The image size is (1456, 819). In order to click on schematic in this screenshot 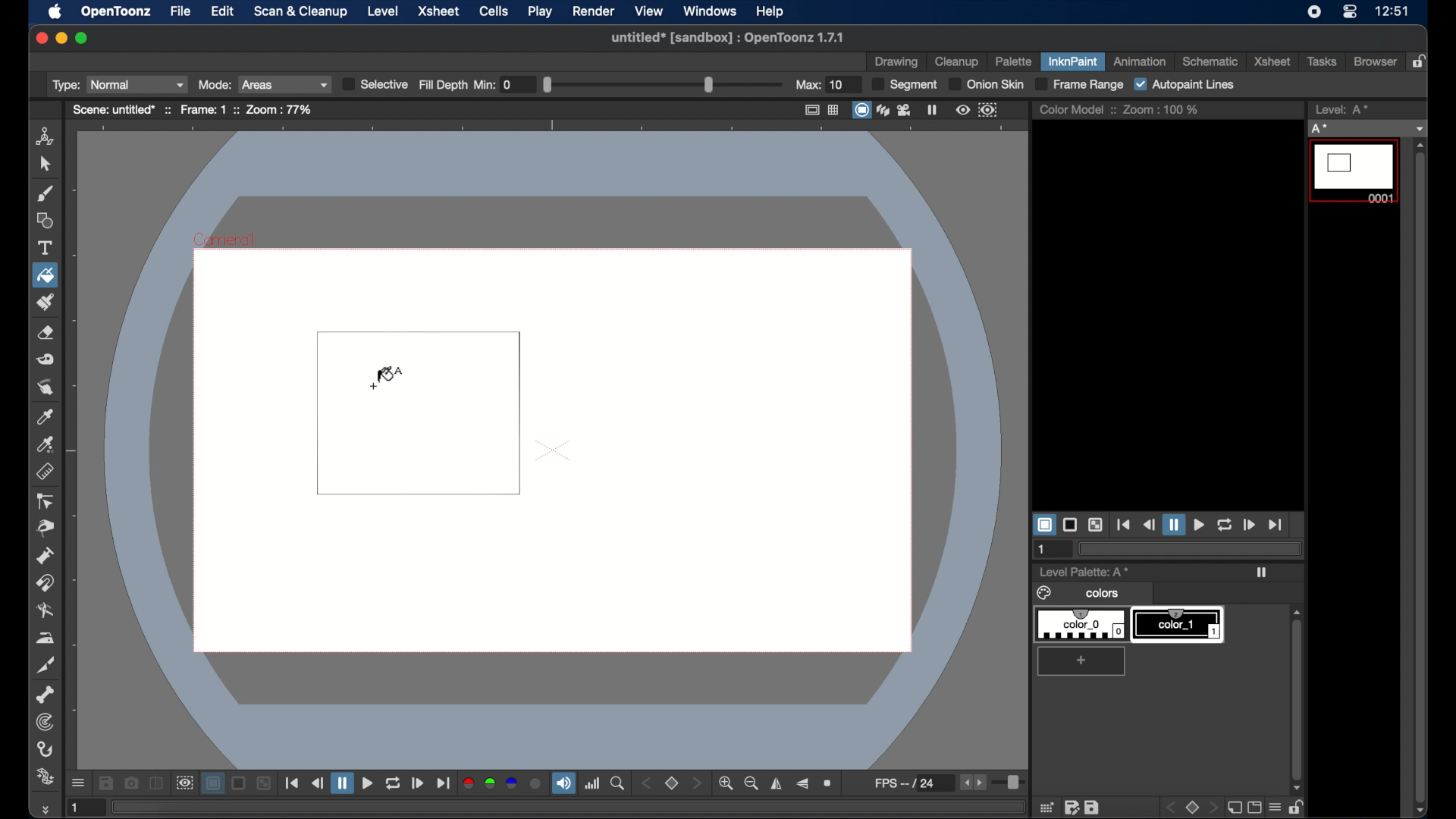, I will do `click(1210, 62)`.